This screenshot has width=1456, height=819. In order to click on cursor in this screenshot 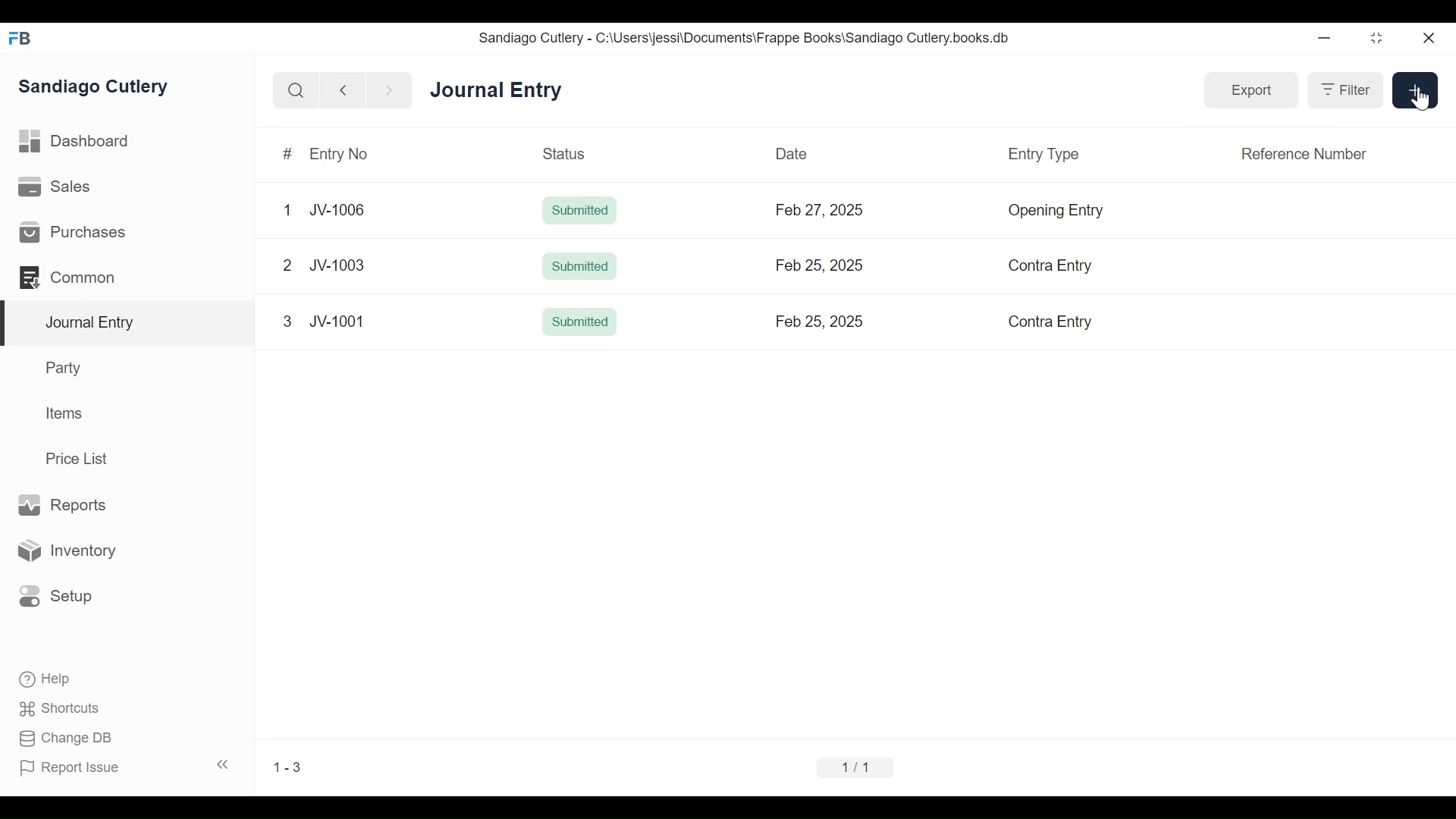, I will do `click(1422, 99)`.